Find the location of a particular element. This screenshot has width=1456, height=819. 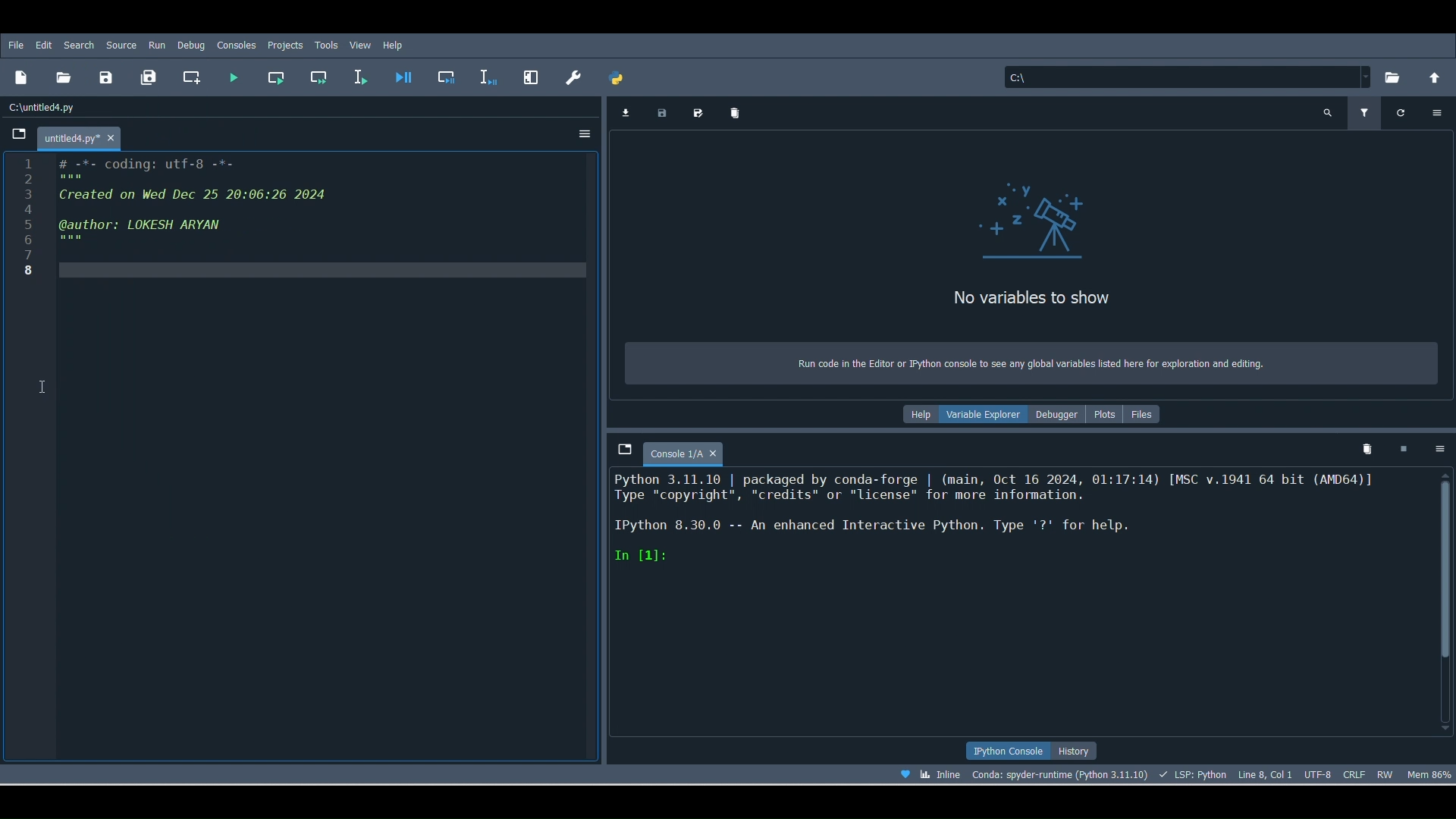

File EOL status is located at coordinates (1355, 772).